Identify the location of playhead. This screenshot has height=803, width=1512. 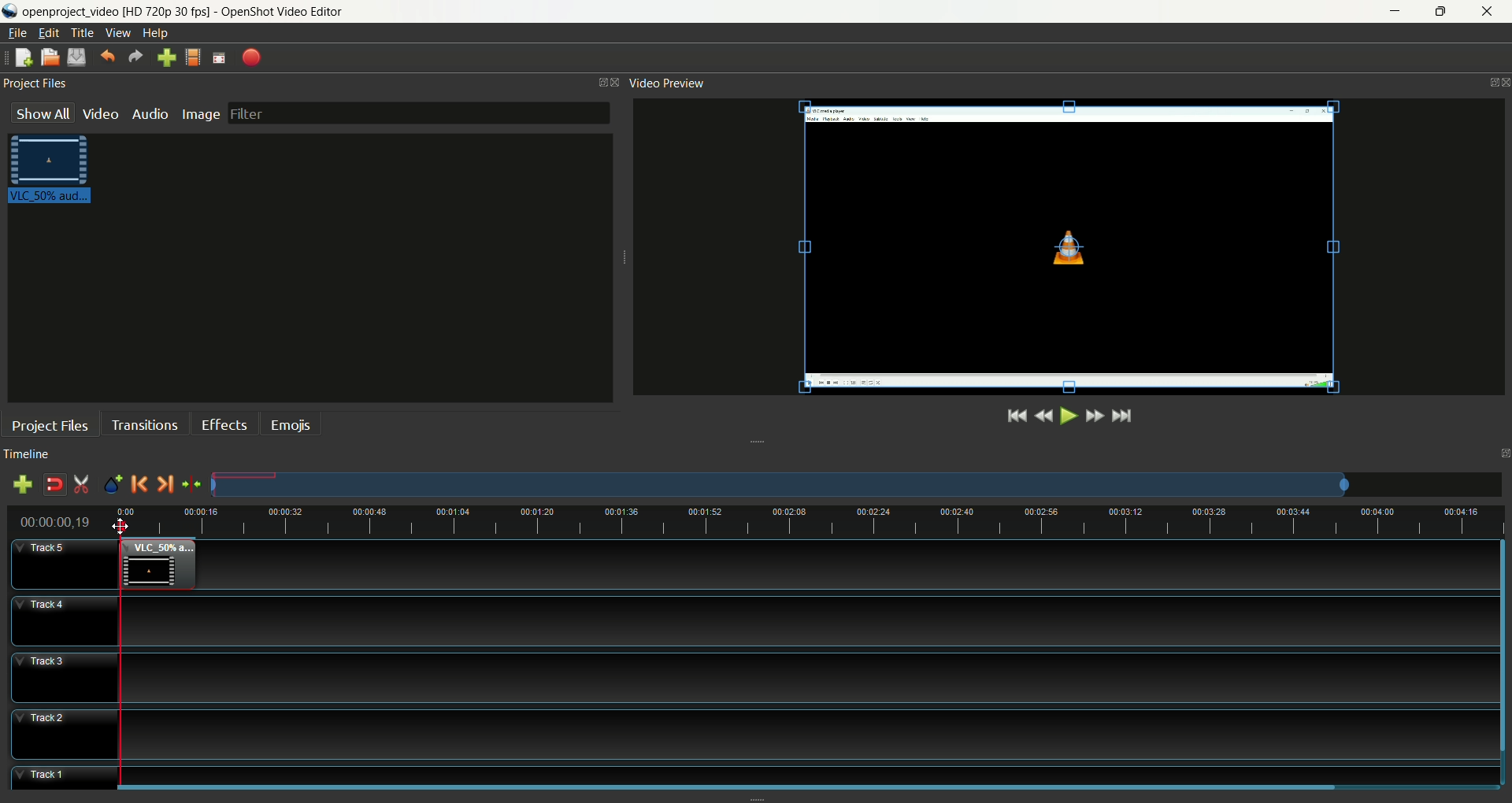
(120, 653).